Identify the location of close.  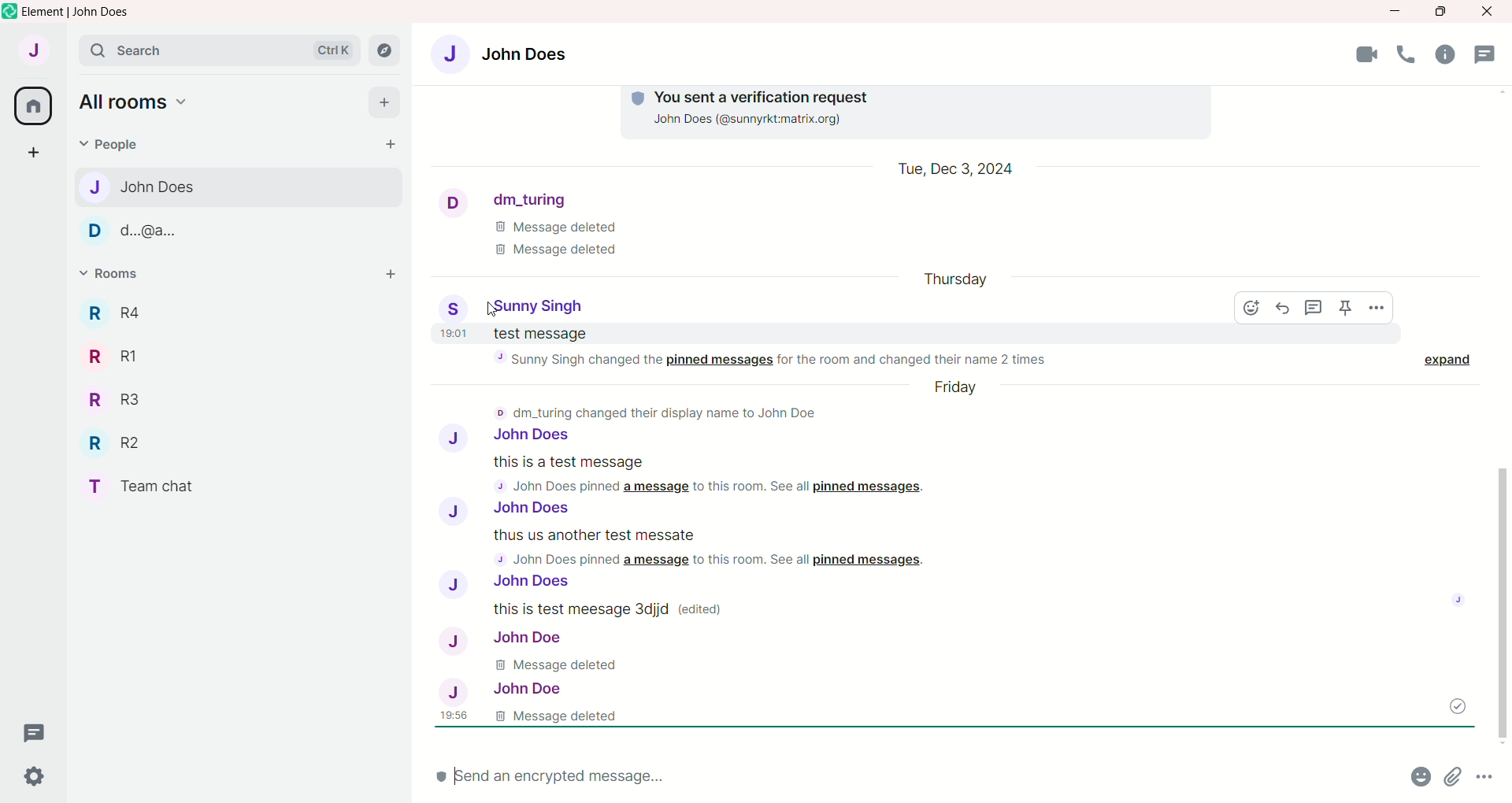
(1489, 12).